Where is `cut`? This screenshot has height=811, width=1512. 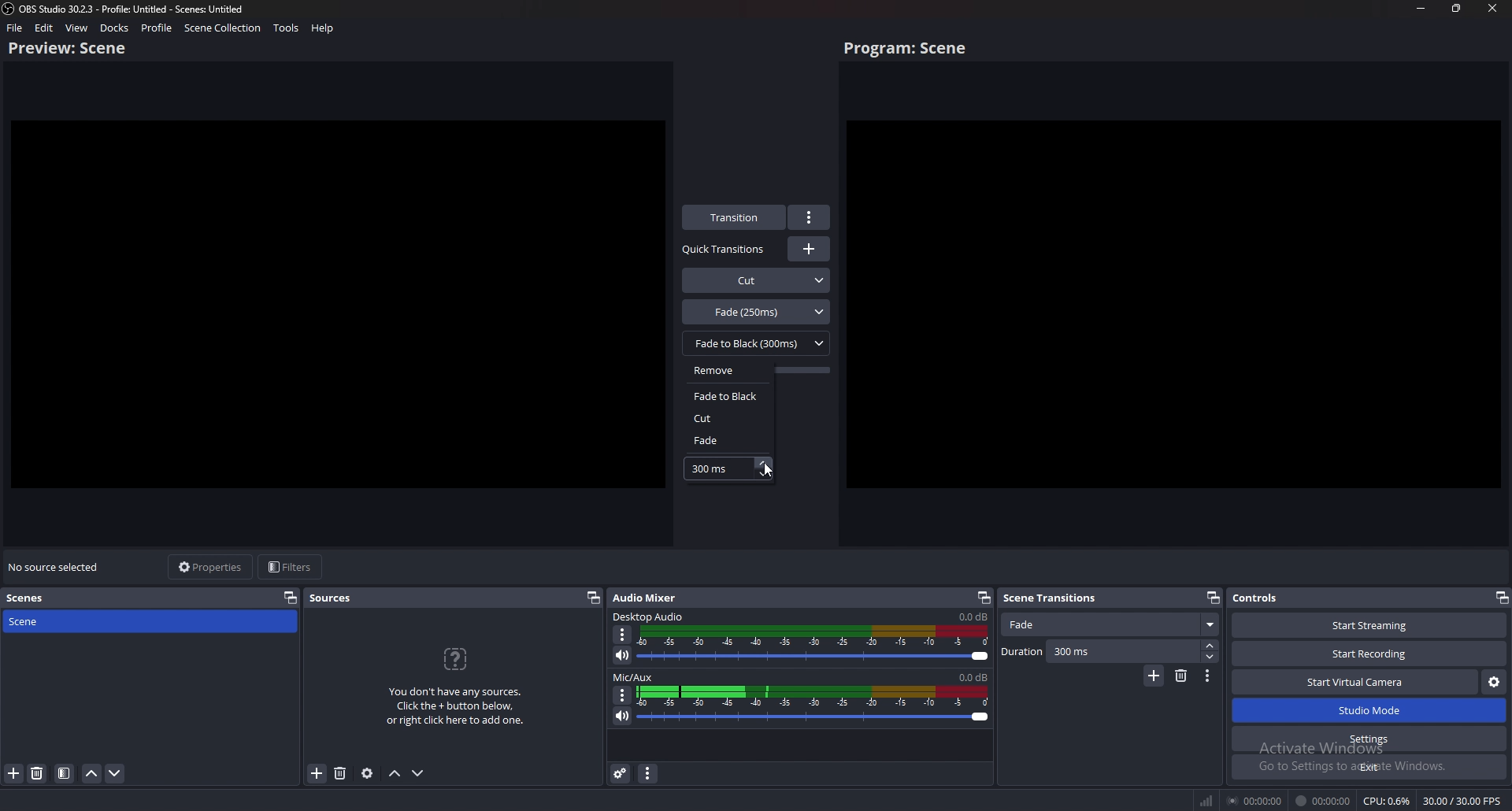 cut is located at coordinates (725, 418).